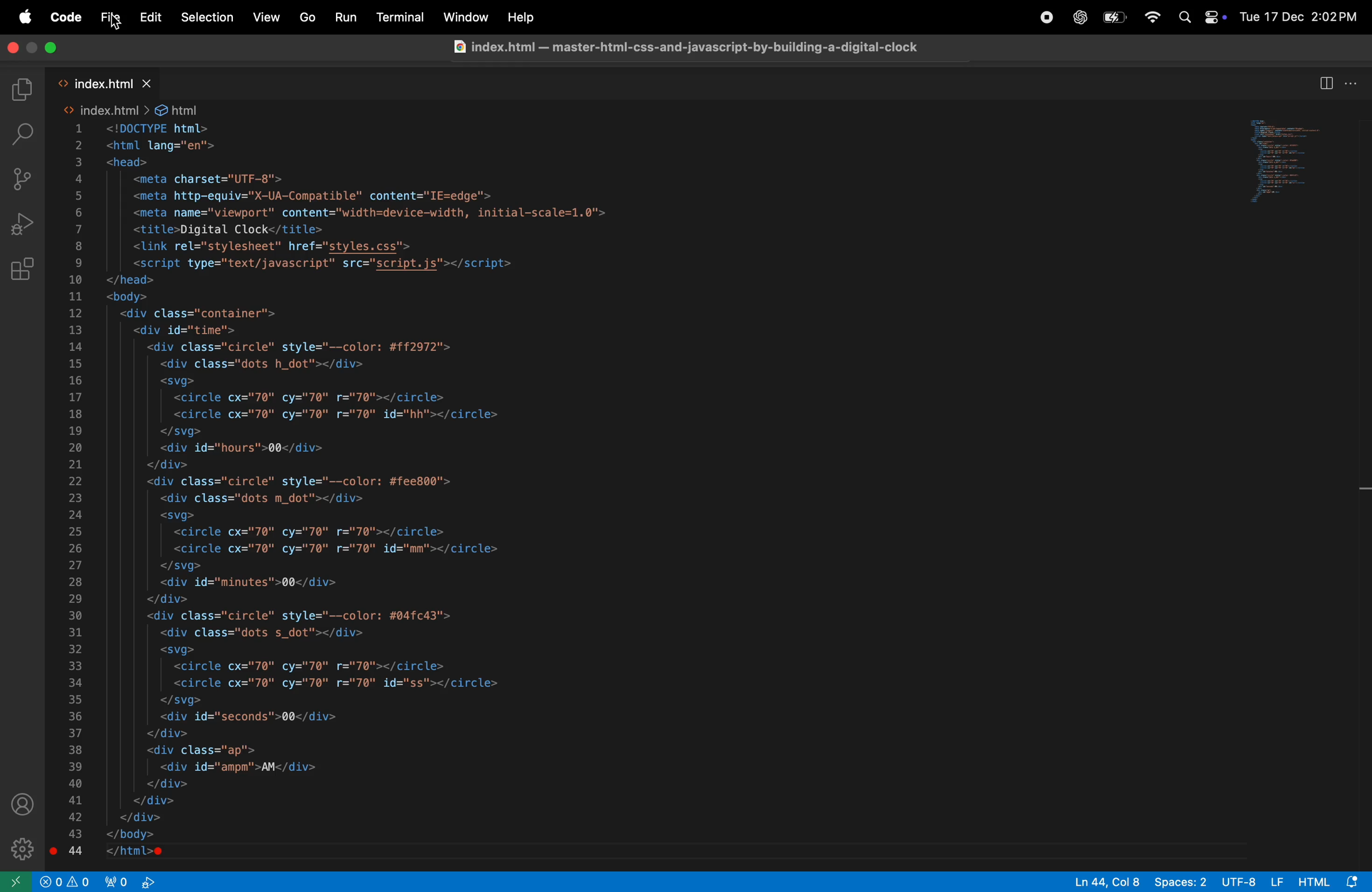  I want to click on close, so click(13, 48).